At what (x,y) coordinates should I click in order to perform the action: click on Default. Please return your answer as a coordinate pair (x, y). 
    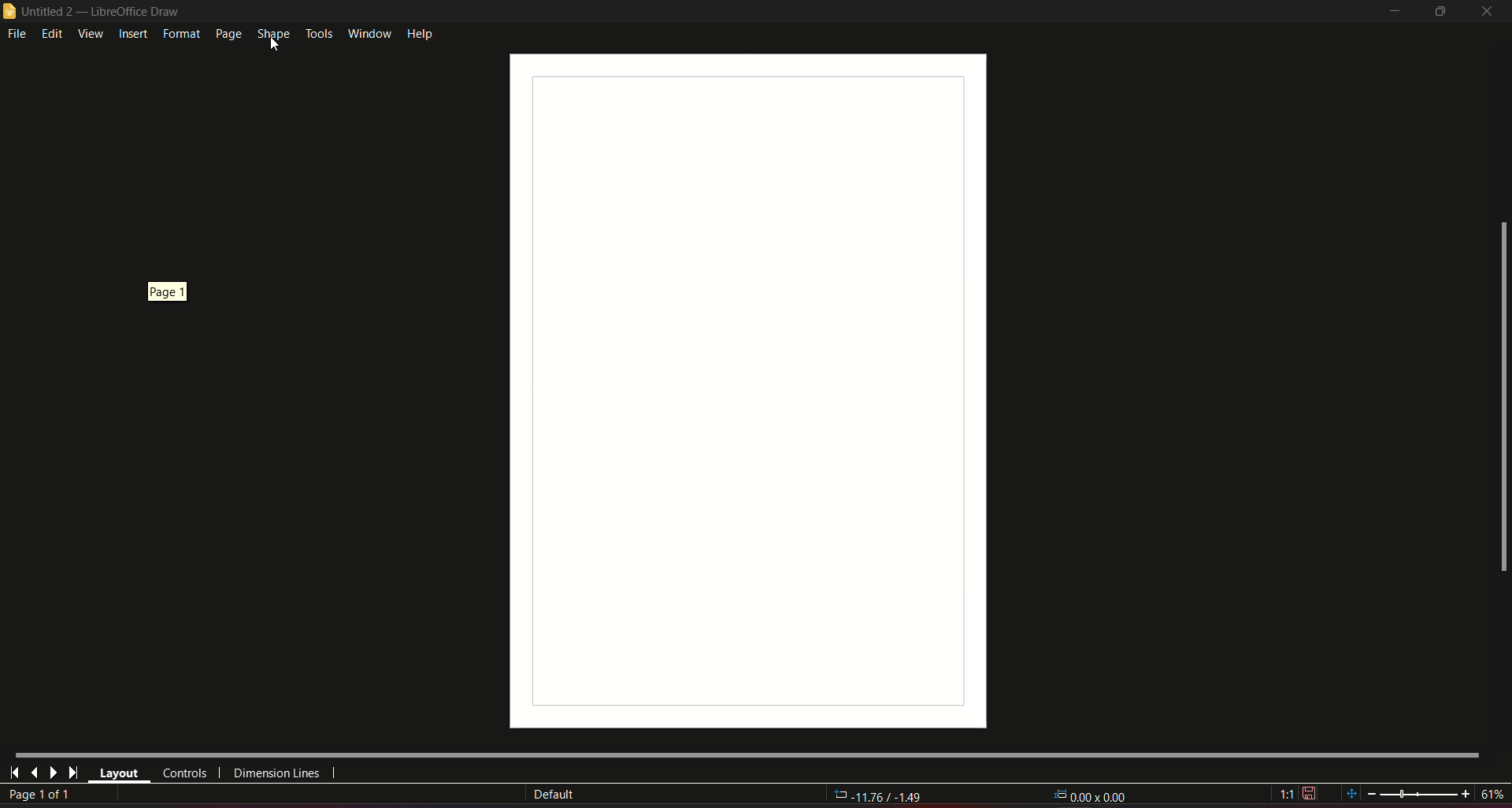
    Looking at the image, I should click on (554, 795).